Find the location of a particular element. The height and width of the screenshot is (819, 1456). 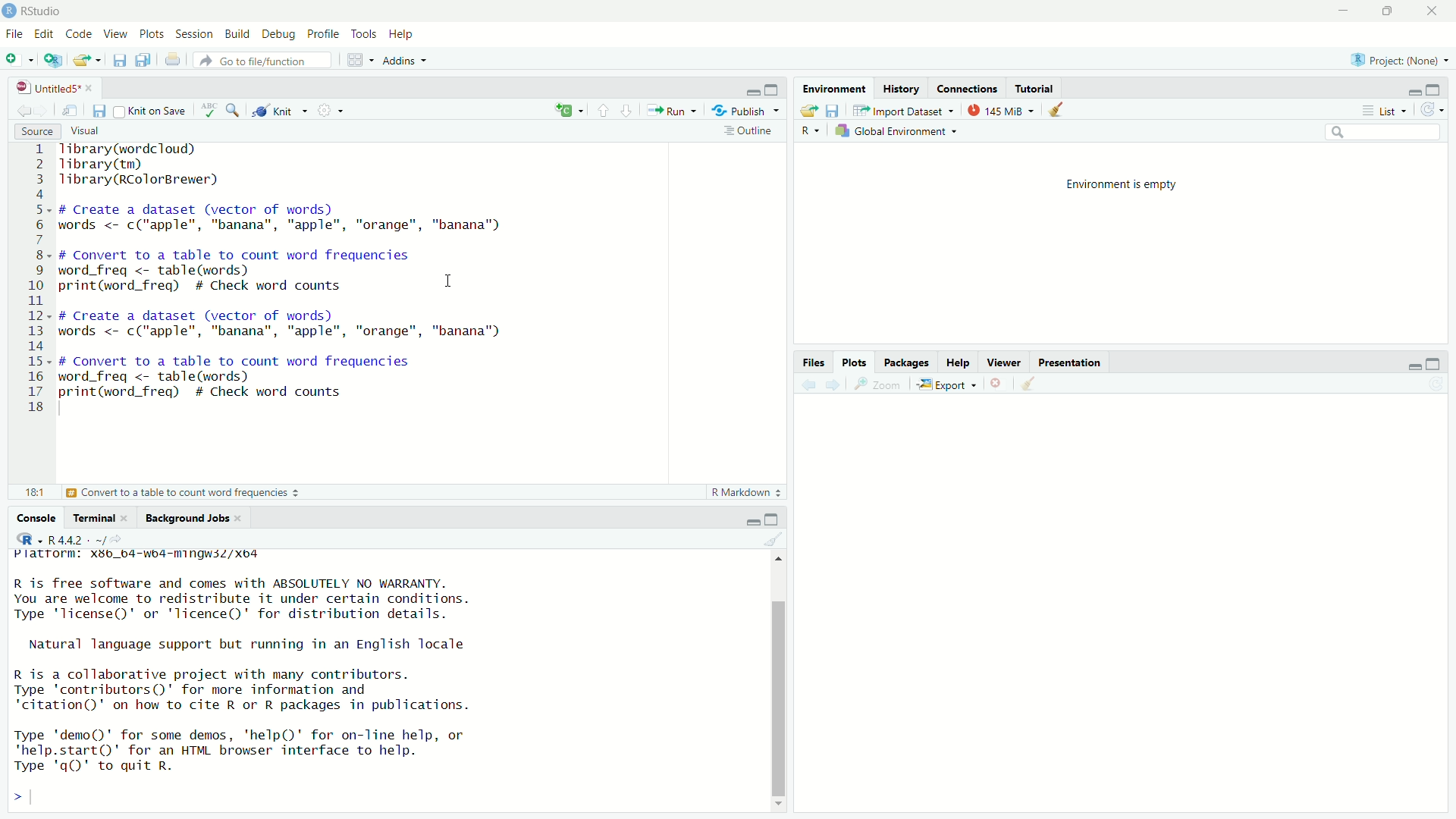

Back is located at coordinates (805, 384).